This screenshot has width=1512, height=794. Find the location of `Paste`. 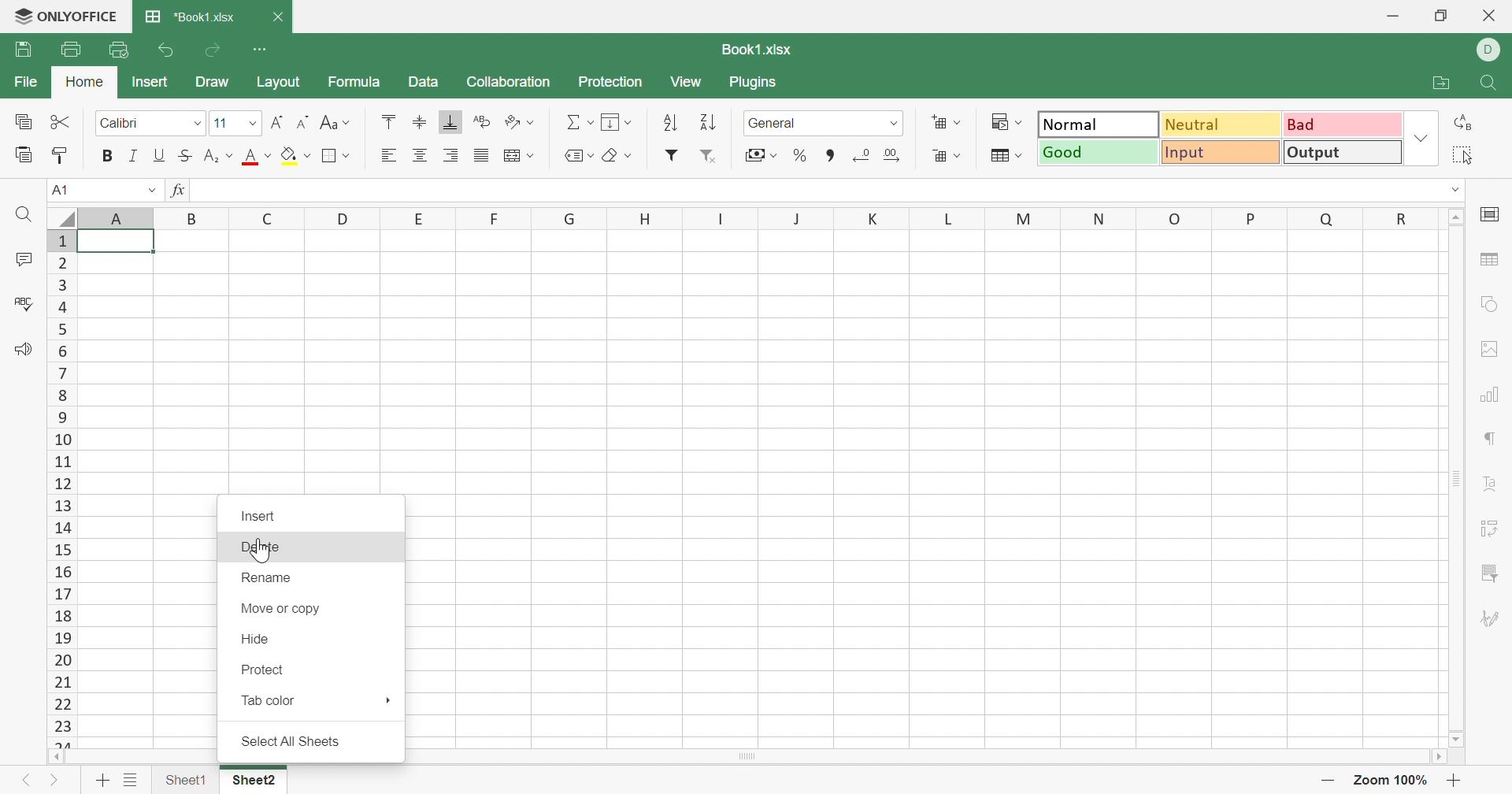

Paste is located at coordinates (22, 153).